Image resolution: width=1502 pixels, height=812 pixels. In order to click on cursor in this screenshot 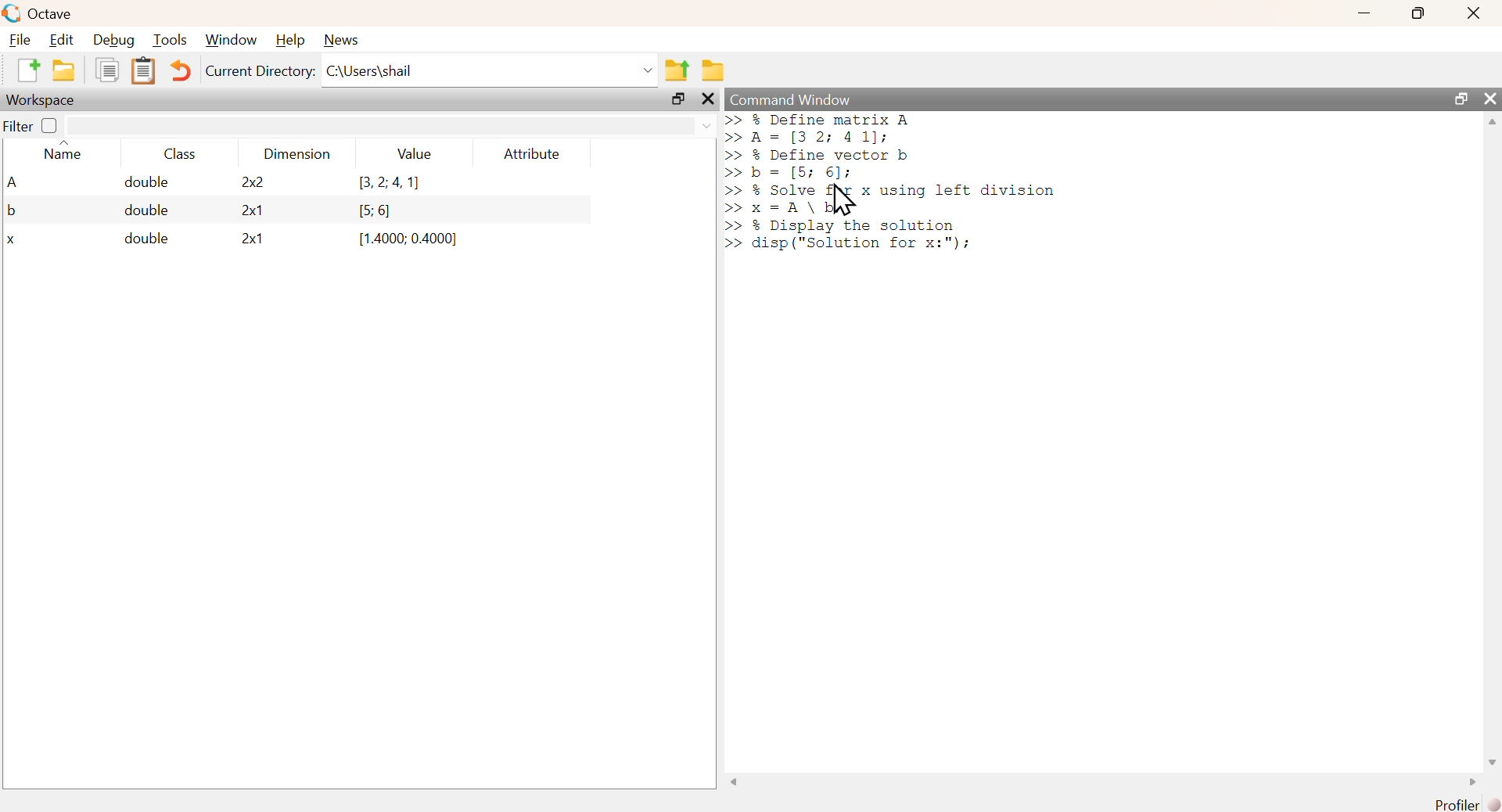, I will do `click(843, 202)`.